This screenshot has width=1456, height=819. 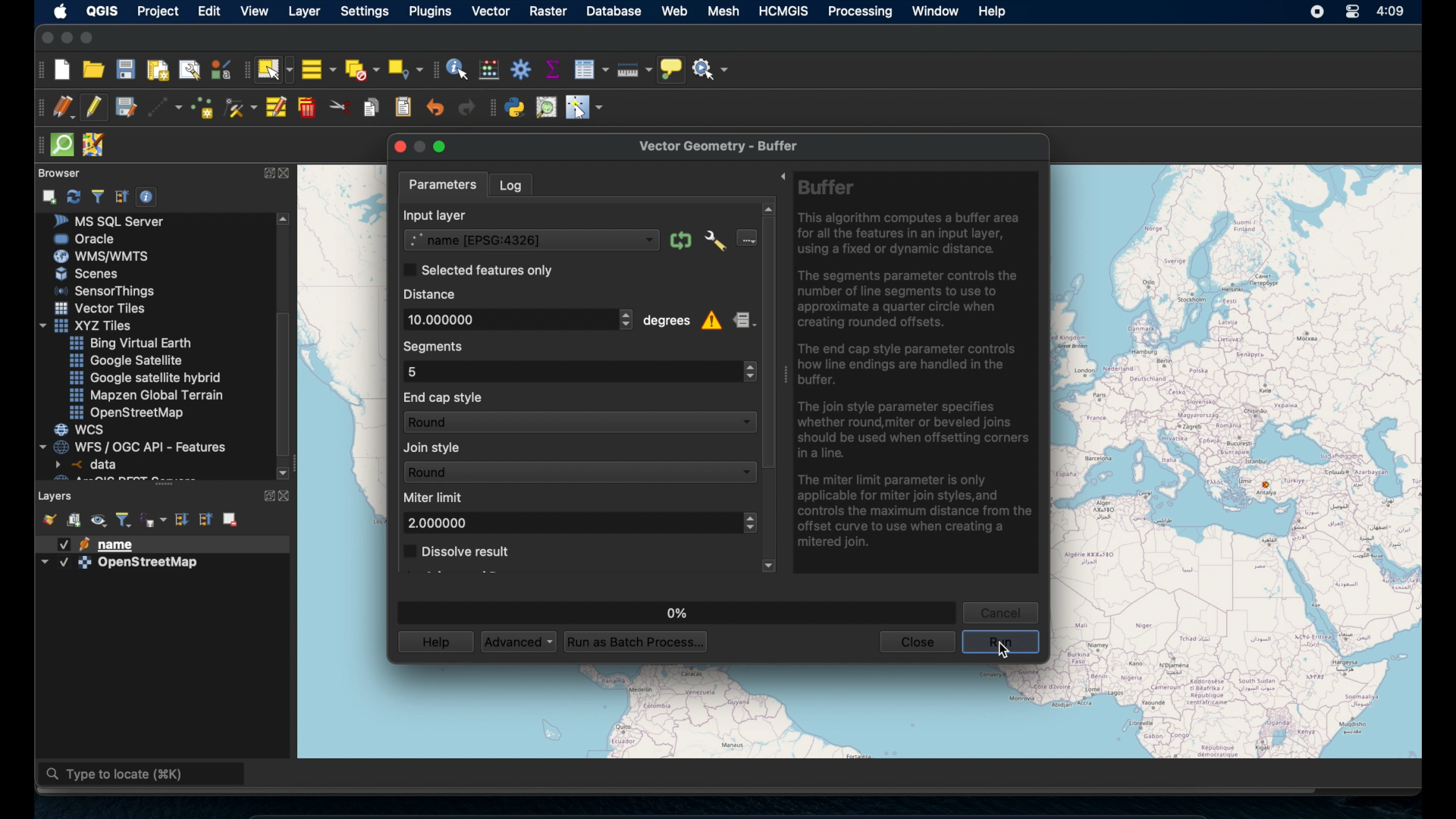 What do you see at coordinates (90, 38) in the screenshot?
I see `maximize` at bounding box center [90, 38].